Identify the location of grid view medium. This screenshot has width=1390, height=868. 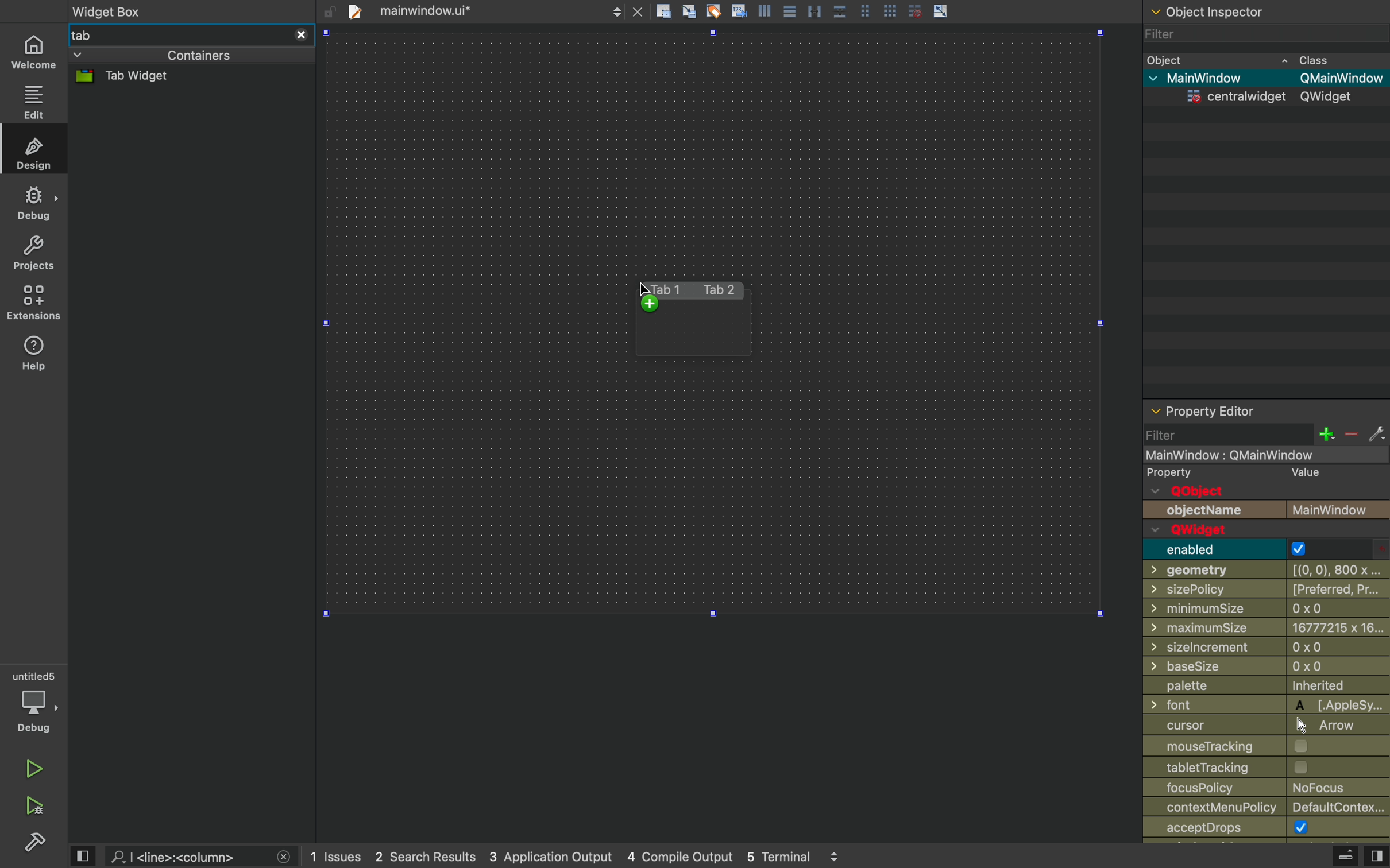
(866, 10).